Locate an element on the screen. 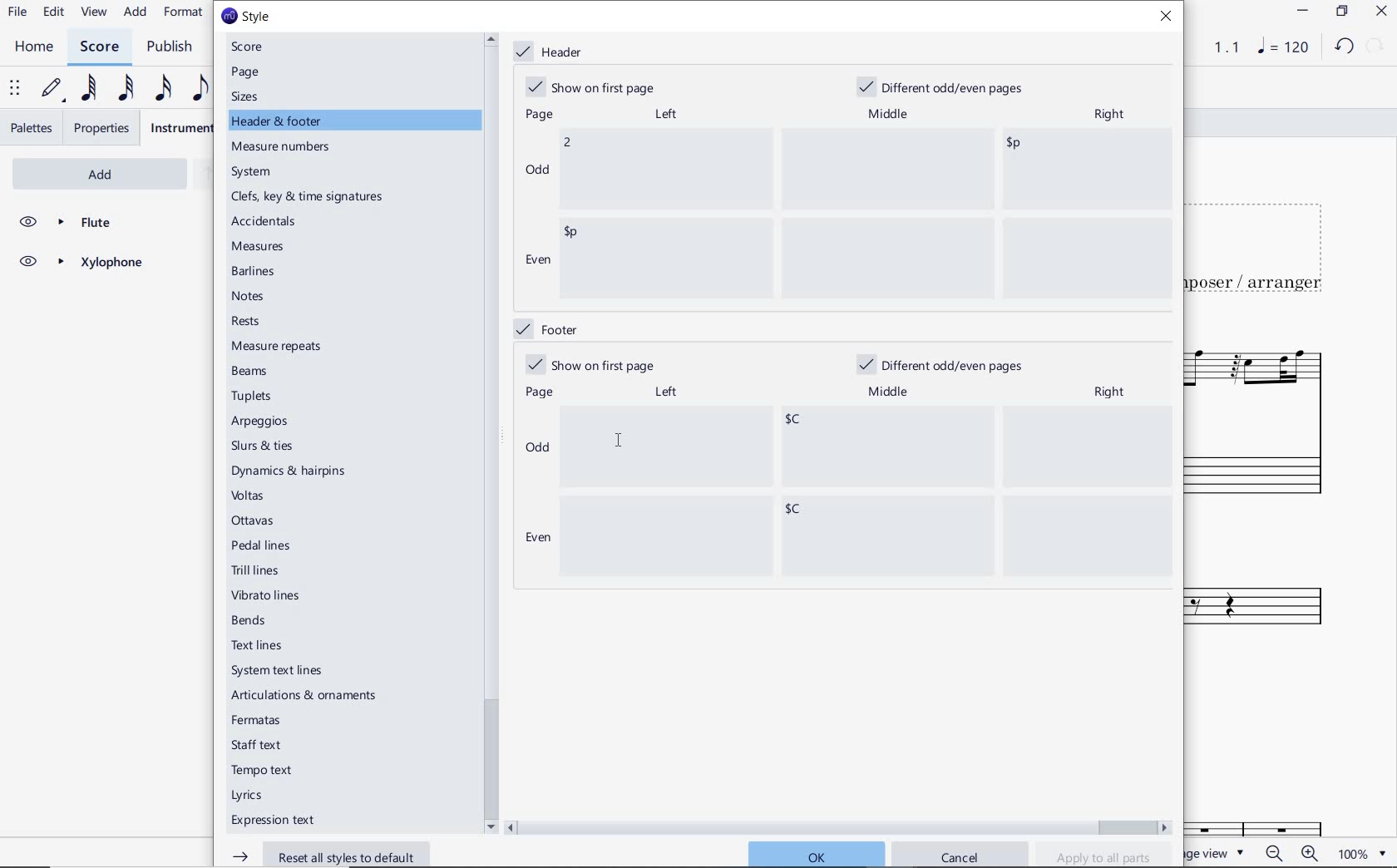 The image size is (1397, 868). footer marked is located at coordinates (545, 328).